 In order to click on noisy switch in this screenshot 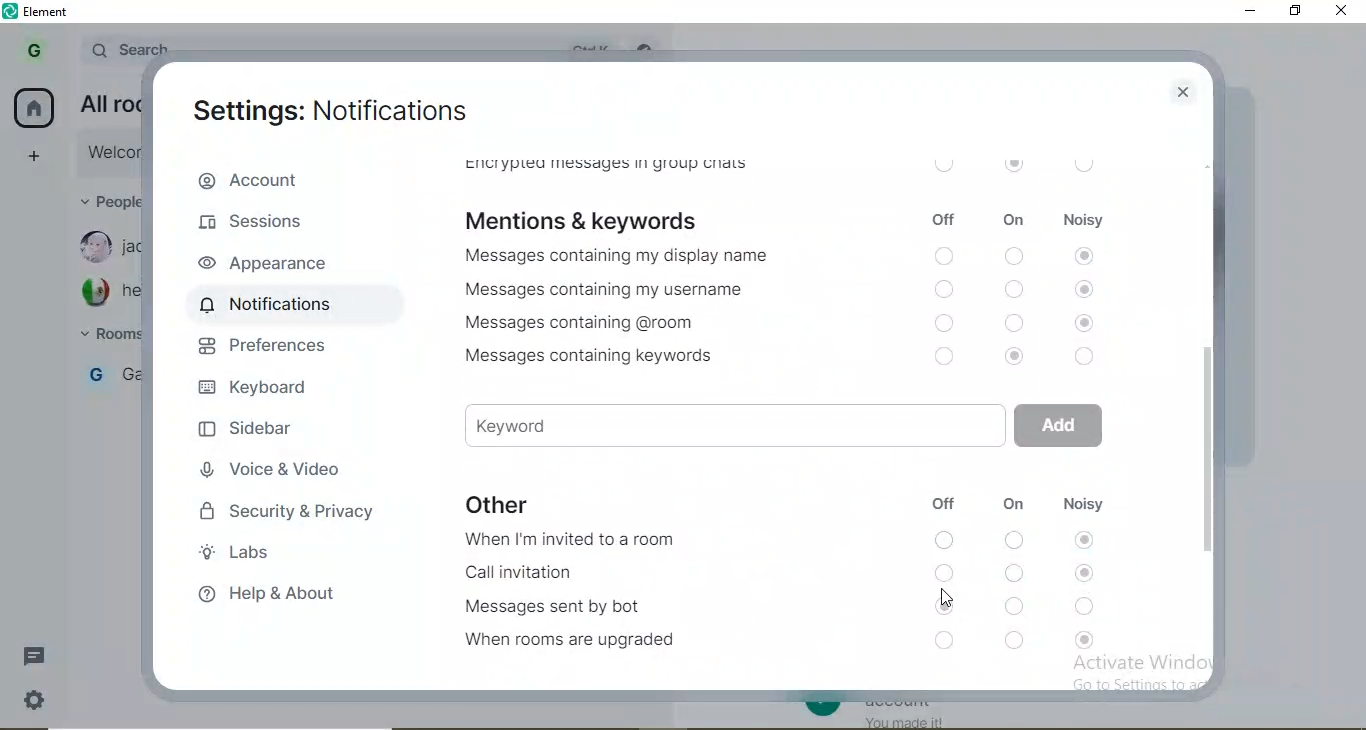, I will do `click(1084, 573)`.